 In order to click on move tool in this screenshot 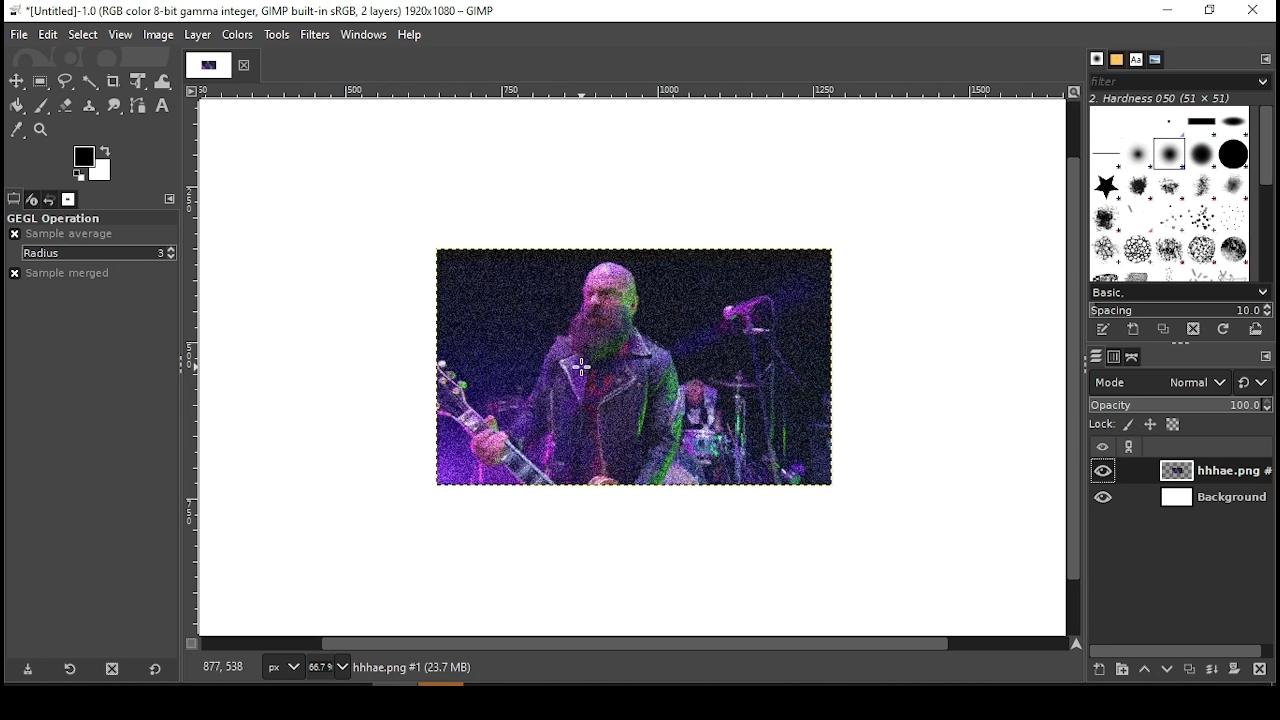, I will do `click(17, 81)`.